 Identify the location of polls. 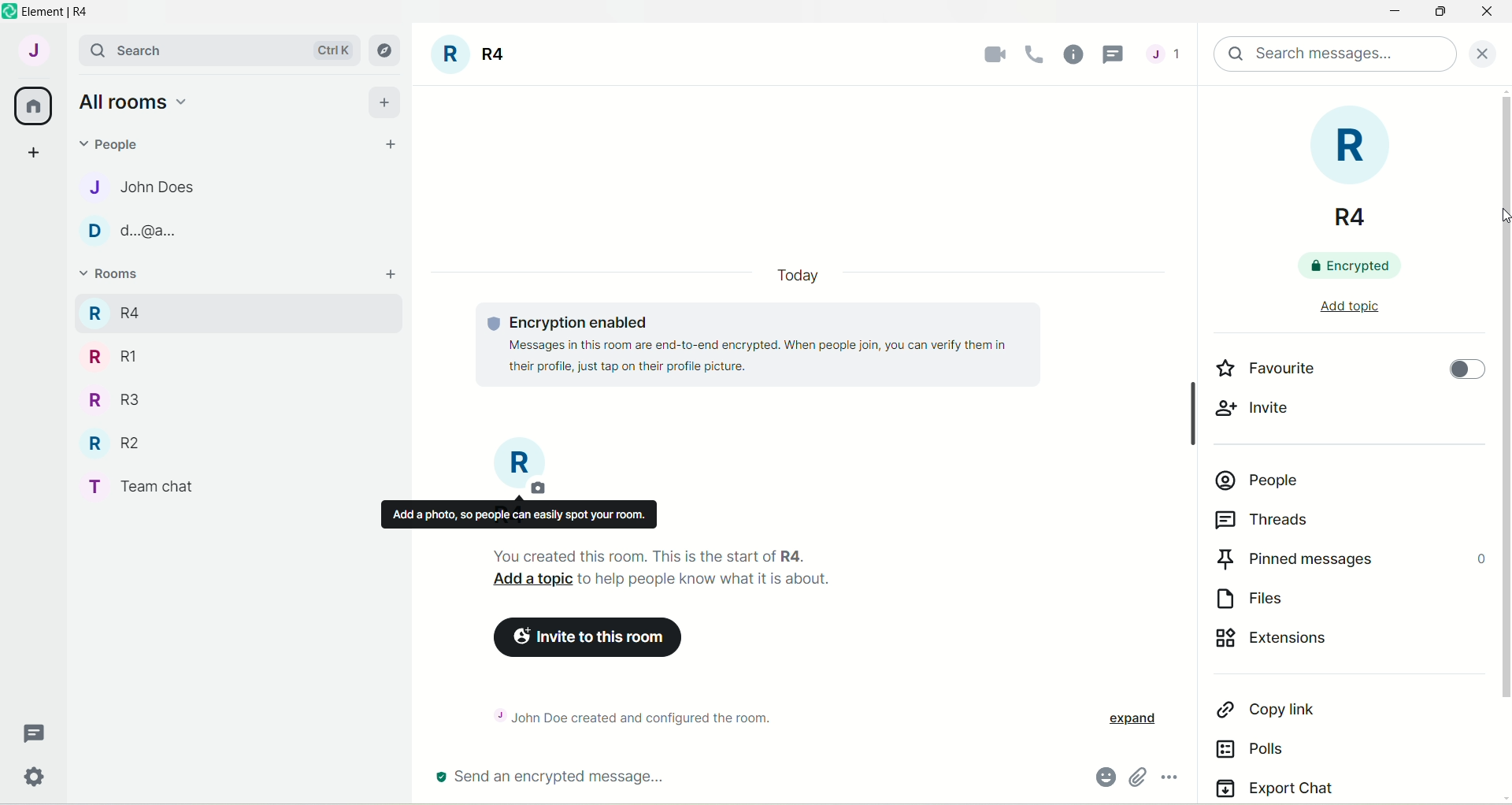
(1254, 749).